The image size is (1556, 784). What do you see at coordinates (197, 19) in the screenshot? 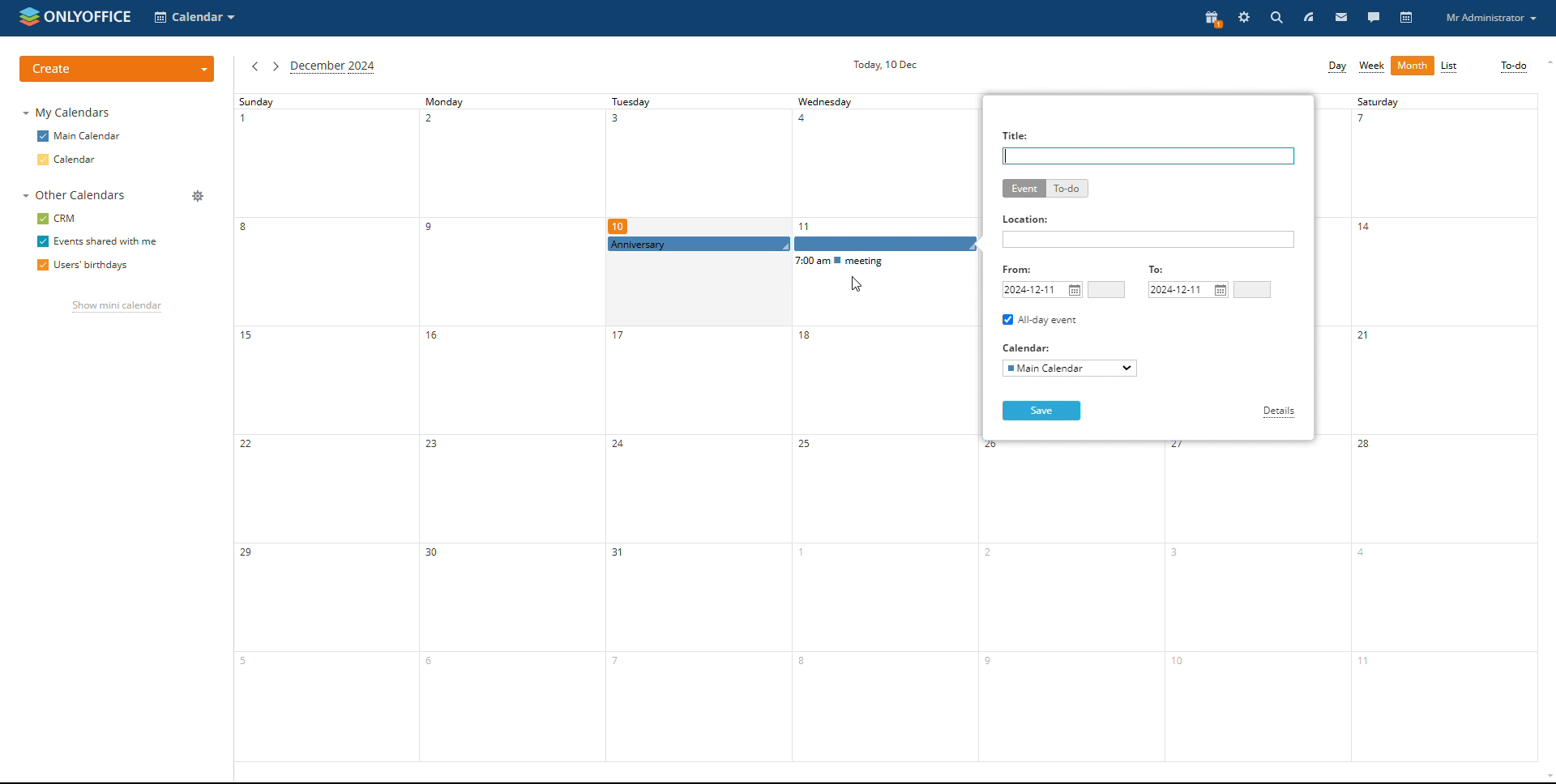
I see `select application` at bounding box center [197, 19].